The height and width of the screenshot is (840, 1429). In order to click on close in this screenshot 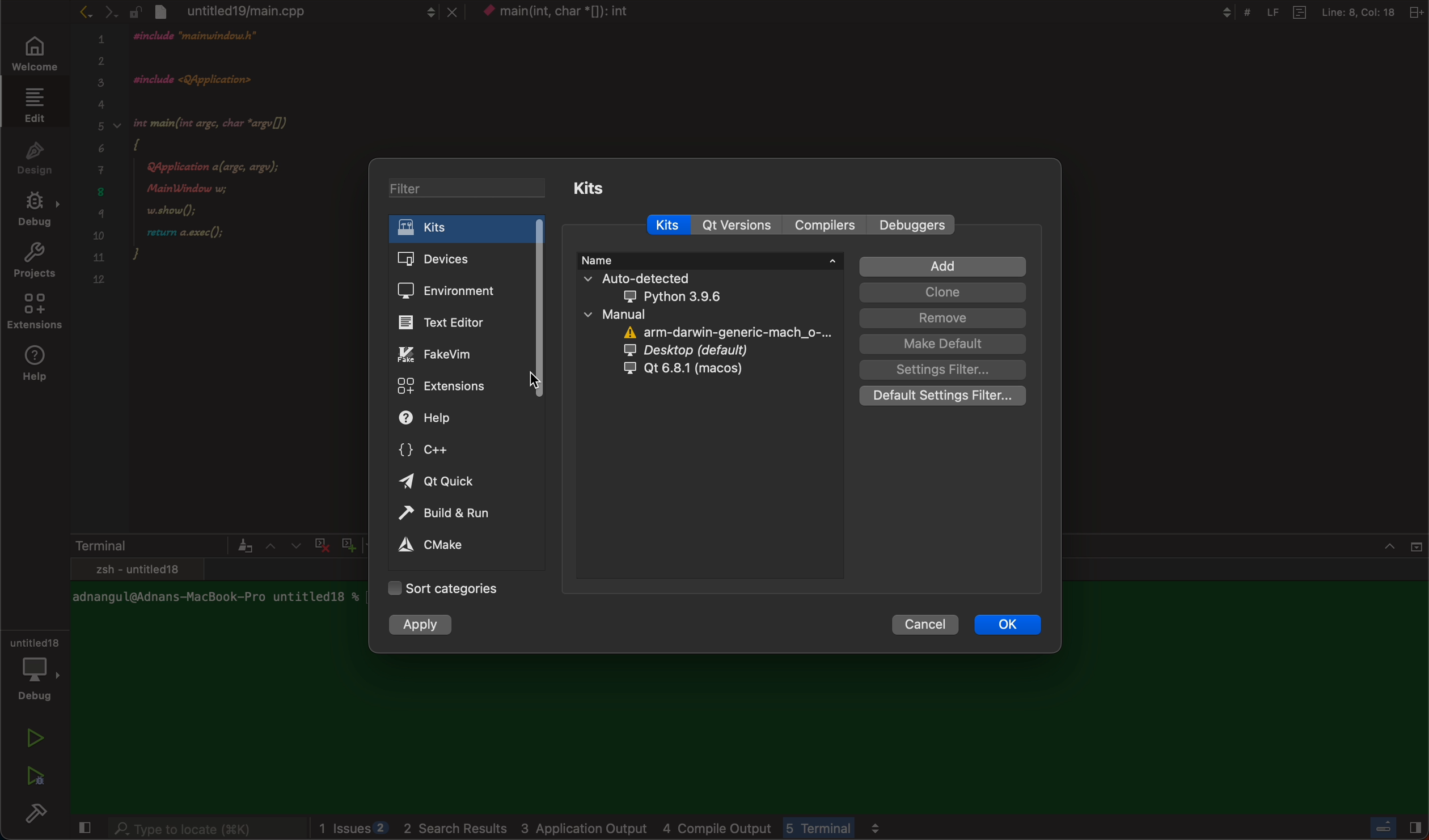, I will do `click(1403, 543)`.